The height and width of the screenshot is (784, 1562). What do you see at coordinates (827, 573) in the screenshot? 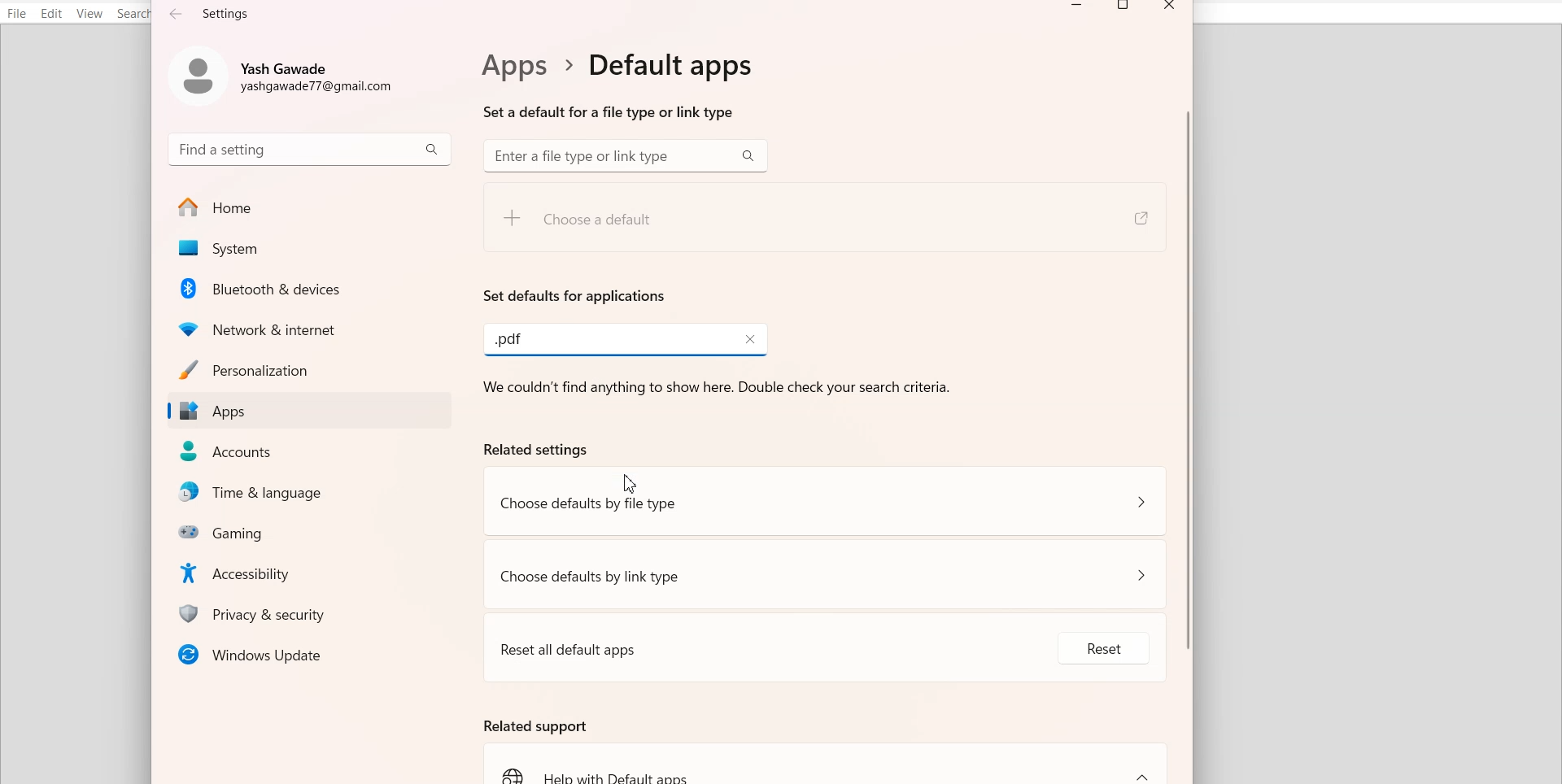
I see `Choose default by link type` at bounding box center [827, 573].